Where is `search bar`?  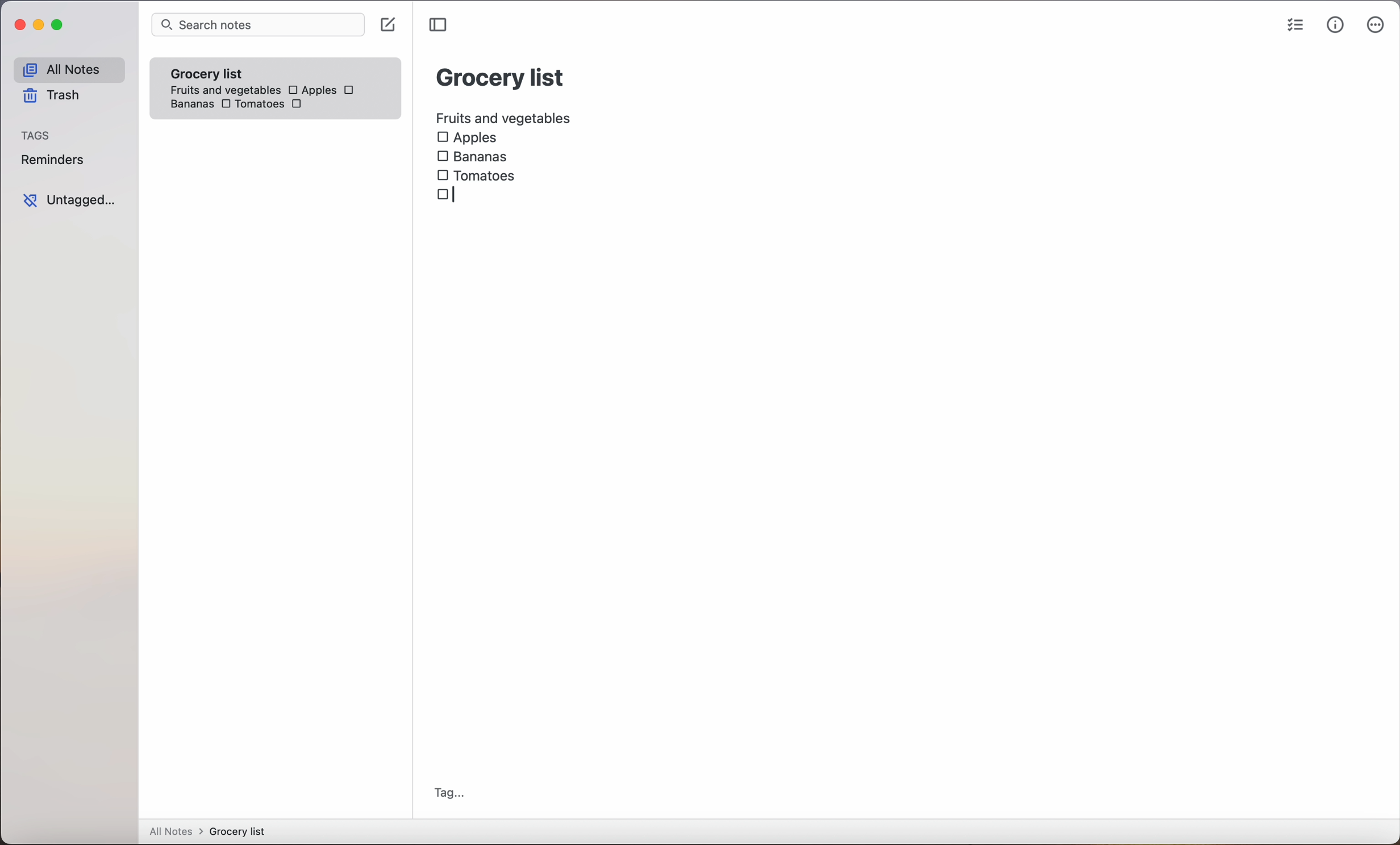
search bar is located at coordinates (257, 26).